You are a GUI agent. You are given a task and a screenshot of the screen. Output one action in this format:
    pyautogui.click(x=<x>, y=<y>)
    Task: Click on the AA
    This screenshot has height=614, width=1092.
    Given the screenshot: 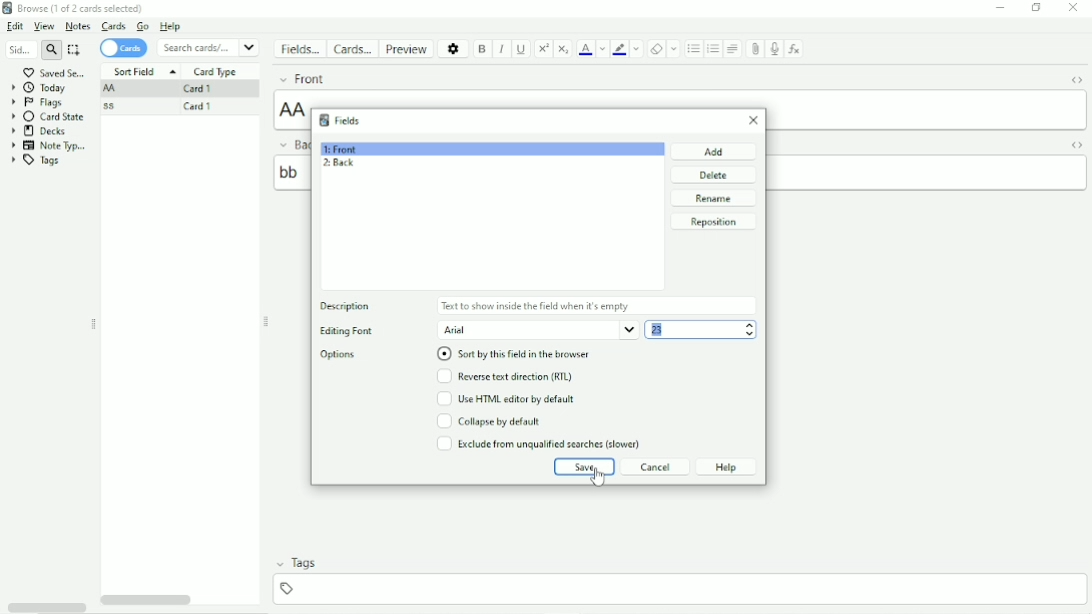 What is the action you would take?
    pyautogui.click(x=926, y=109)
    